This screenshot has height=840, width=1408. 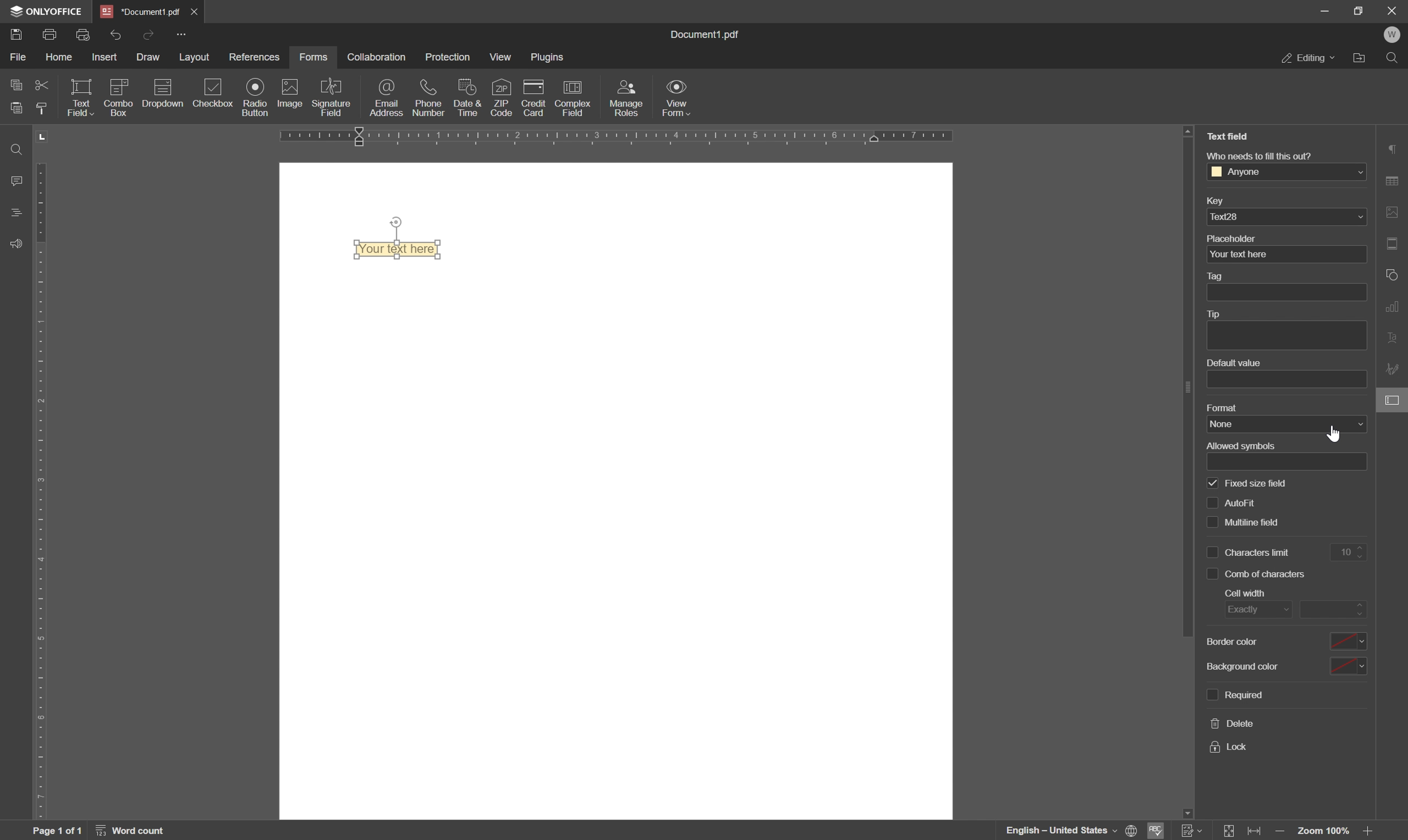 I want to click on support and feedback, so click(x=11, y=242).